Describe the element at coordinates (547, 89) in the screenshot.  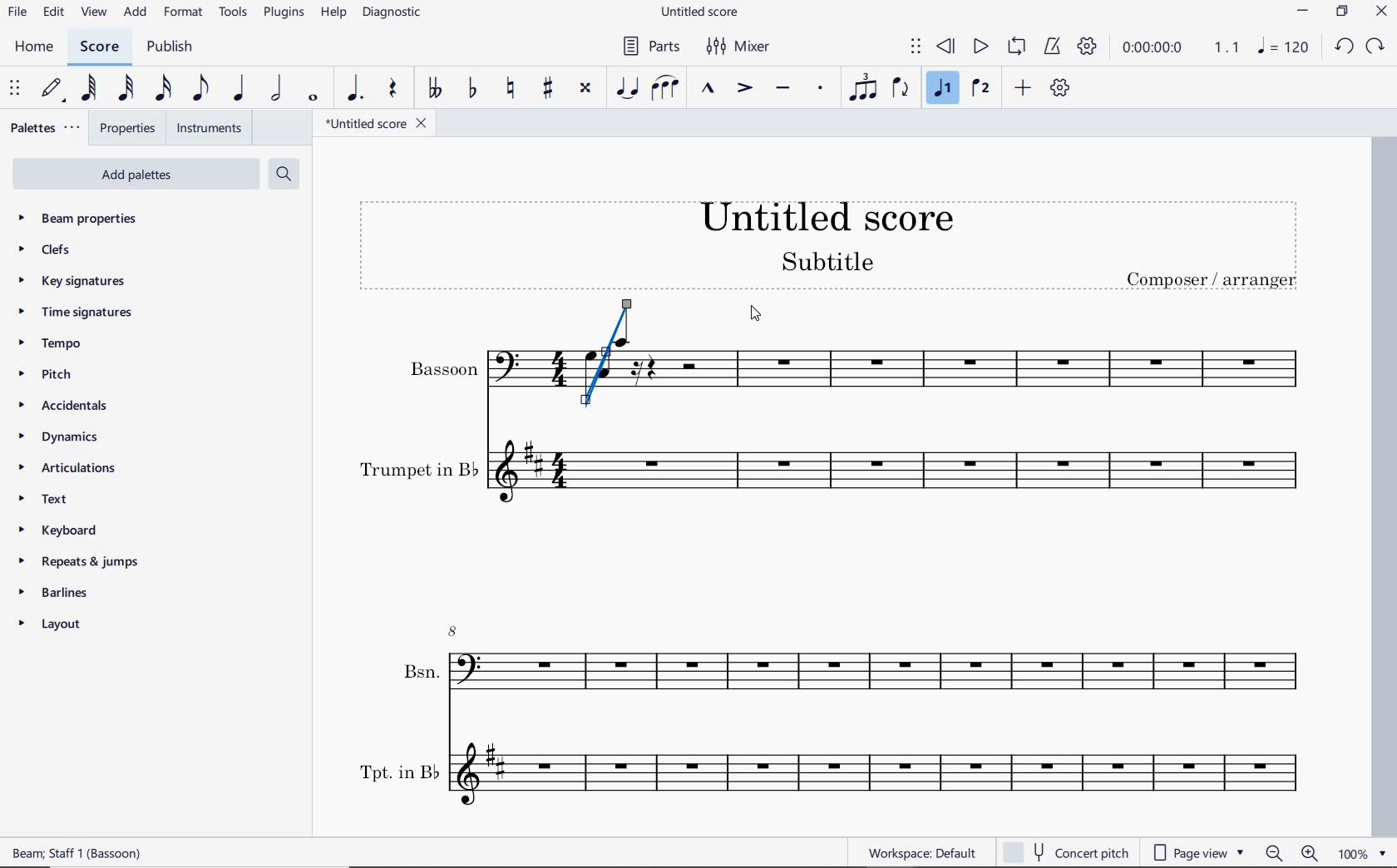
I see `toggle sharp` at that location.